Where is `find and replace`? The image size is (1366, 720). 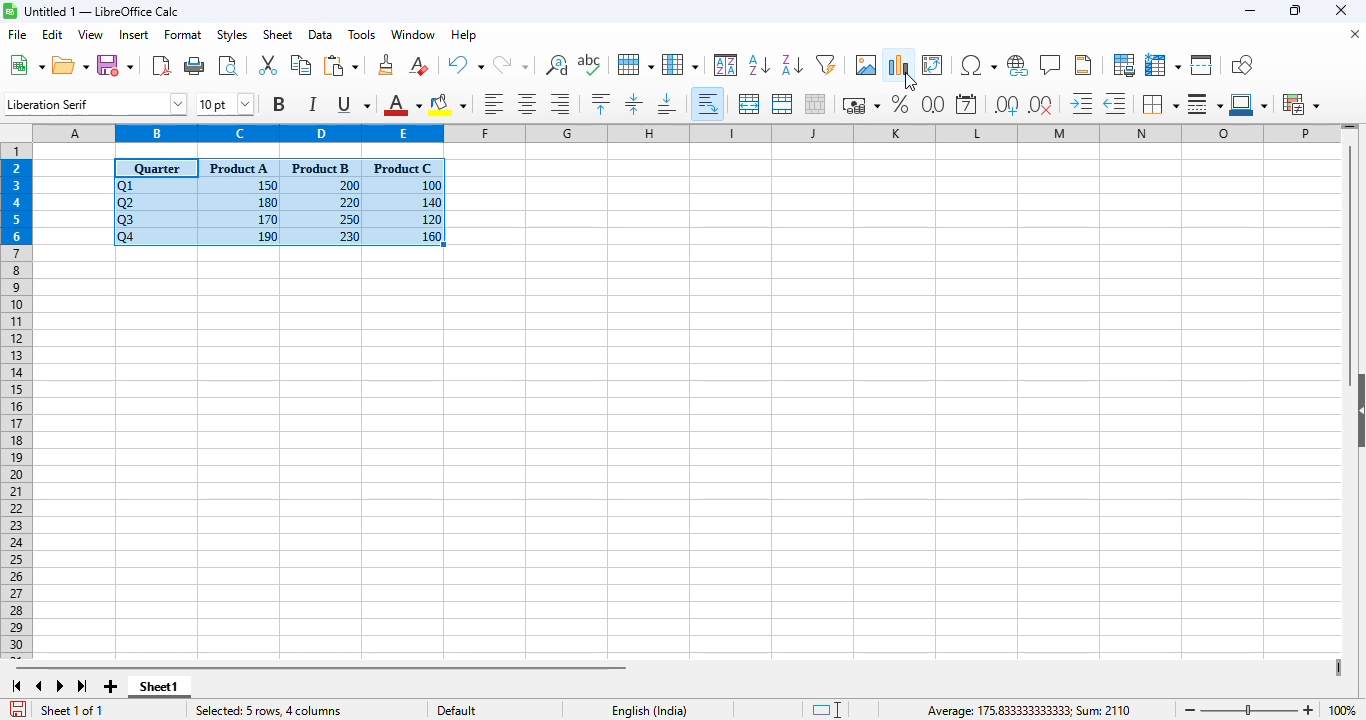
find and replace is located at coordinates (556, 64).